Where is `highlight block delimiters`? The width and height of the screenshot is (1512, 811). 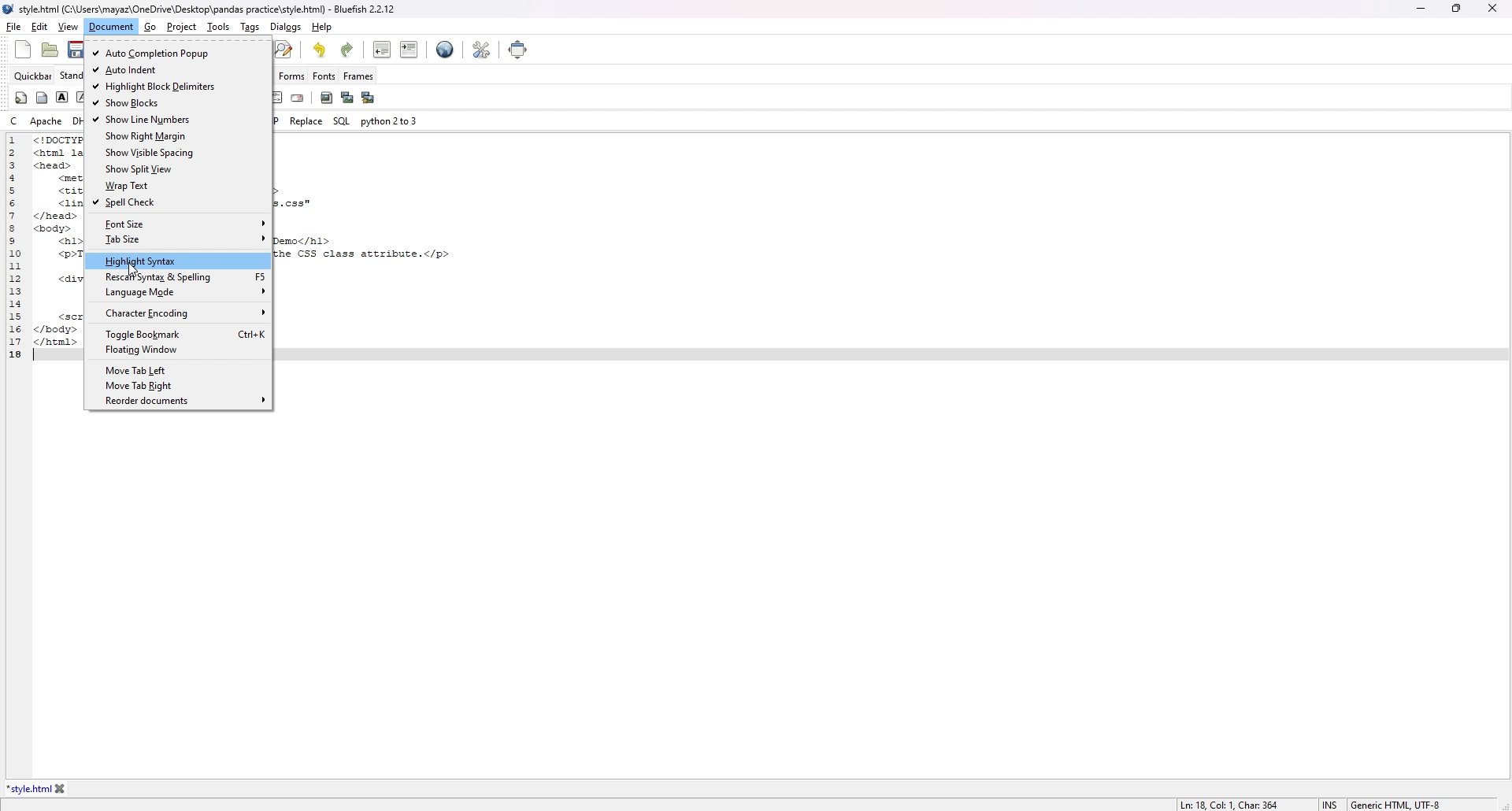
highlight block delimiters is located at coordinates (178, 86).